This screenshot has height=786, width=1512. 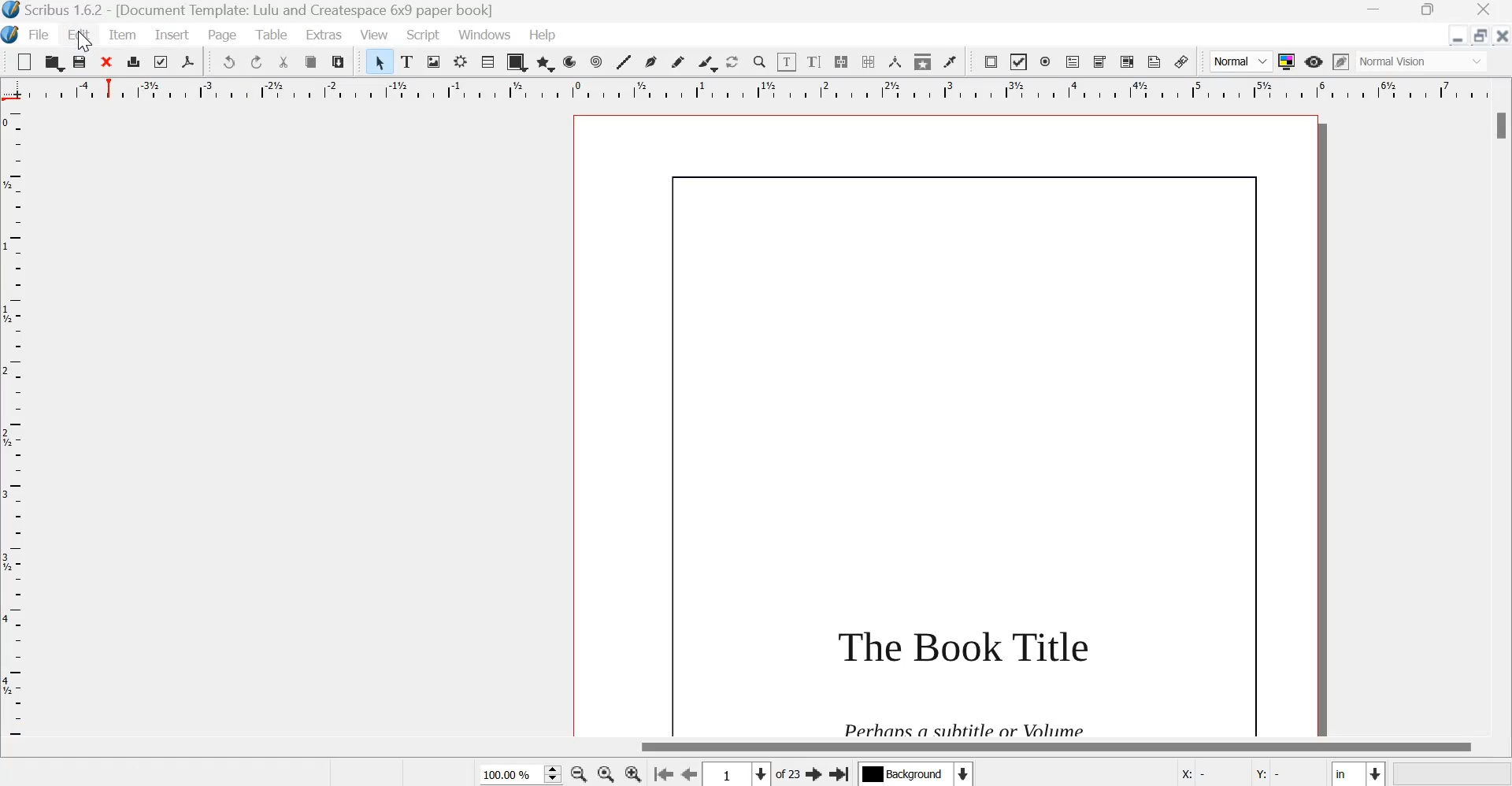 What do you see at coordinates (1358, 773) in the screenshot?
I see `Select the current unit` at bounding box center [1358, 773].